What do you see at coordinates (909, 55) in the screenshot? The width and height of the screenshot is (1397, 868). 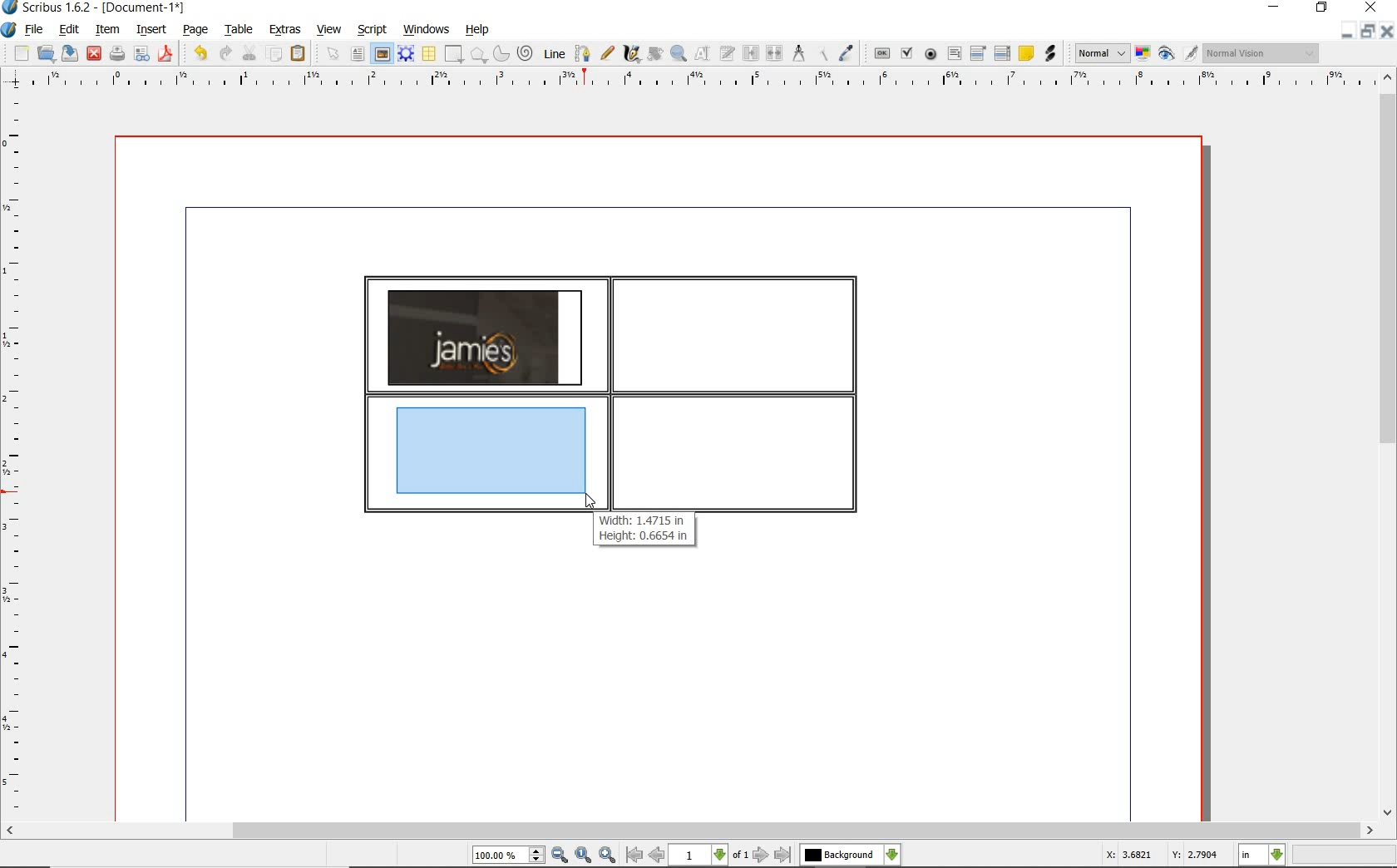 I see `pdf check box` at bounding box center [909, 55].